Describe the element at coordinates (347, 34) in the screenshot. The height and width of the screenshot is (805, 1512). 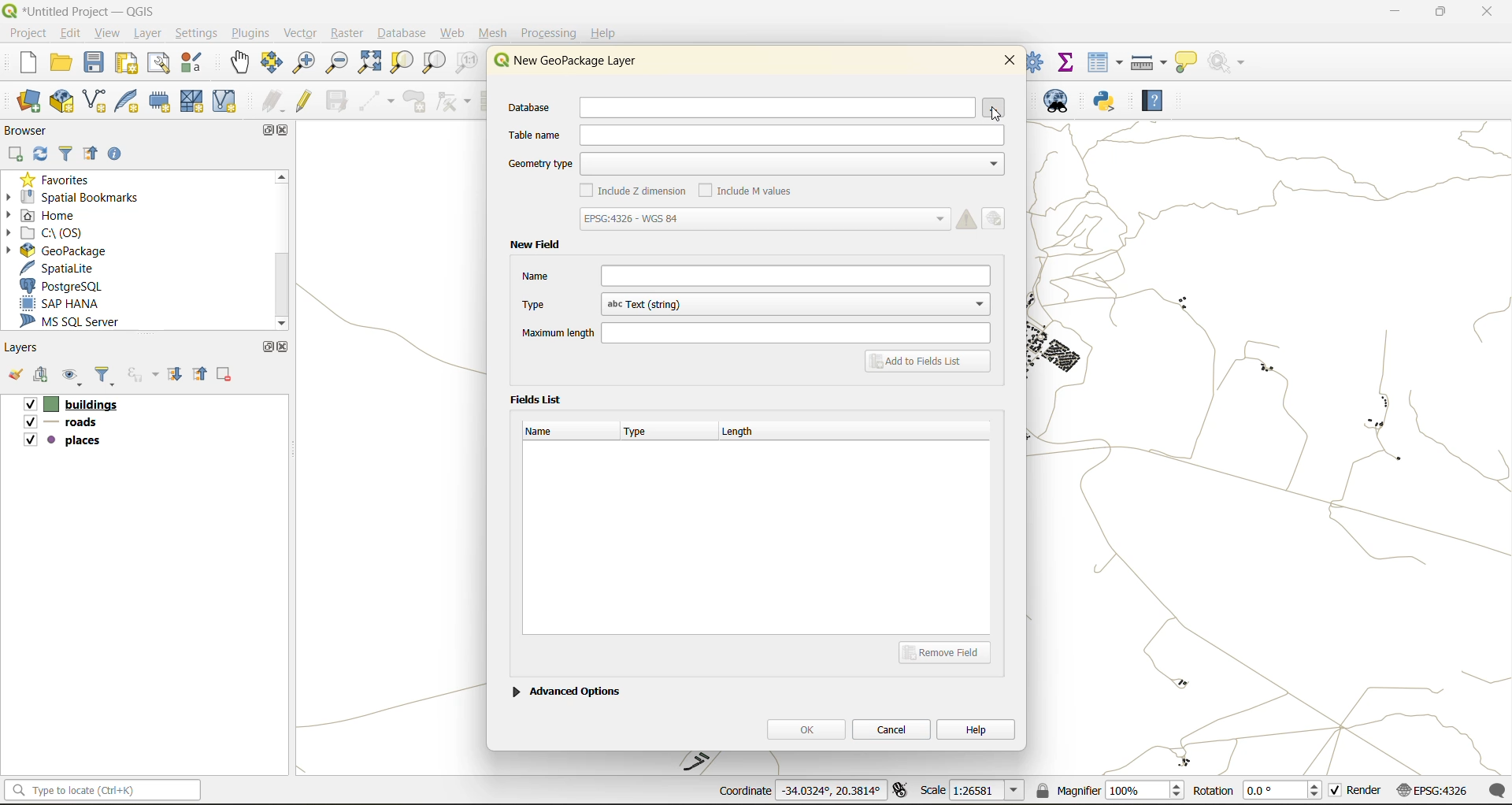
I see `raster` at that location.